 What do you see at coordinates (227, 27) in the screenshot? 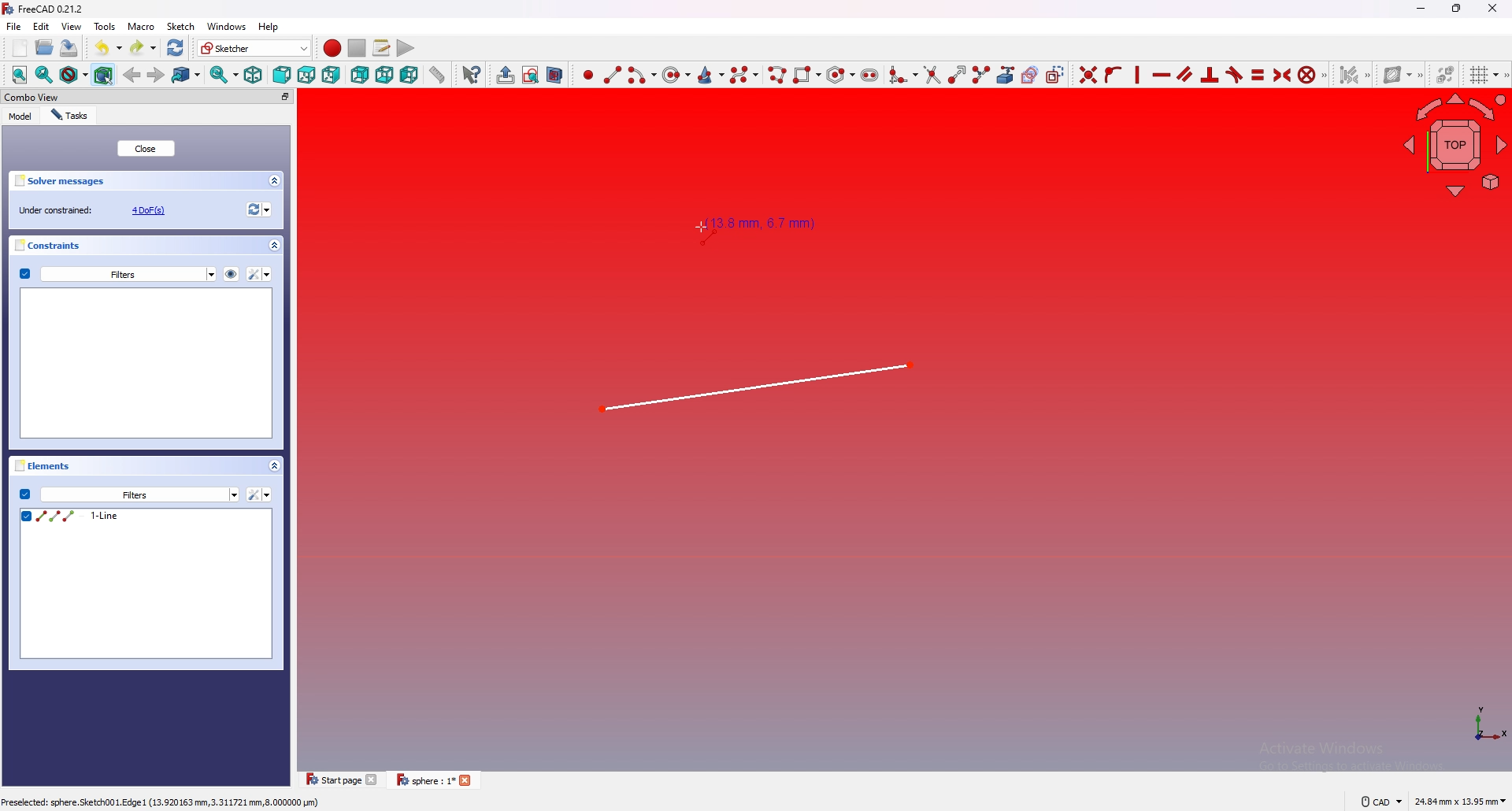
I see `Windows` at bounding box center [227, 27].